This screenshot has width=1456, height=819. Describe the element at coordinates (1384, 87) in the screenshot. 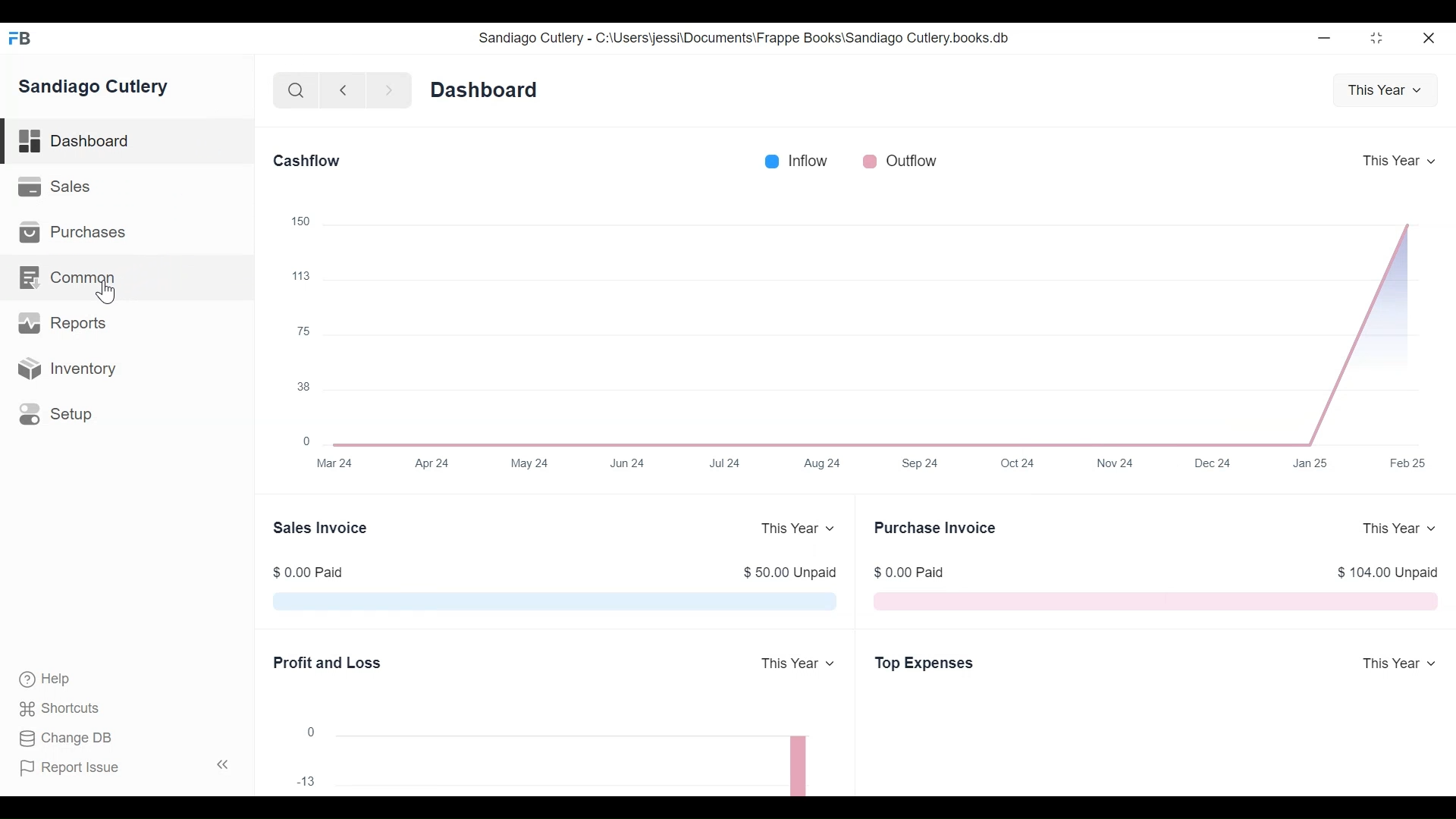

I see `This Year` at that location.